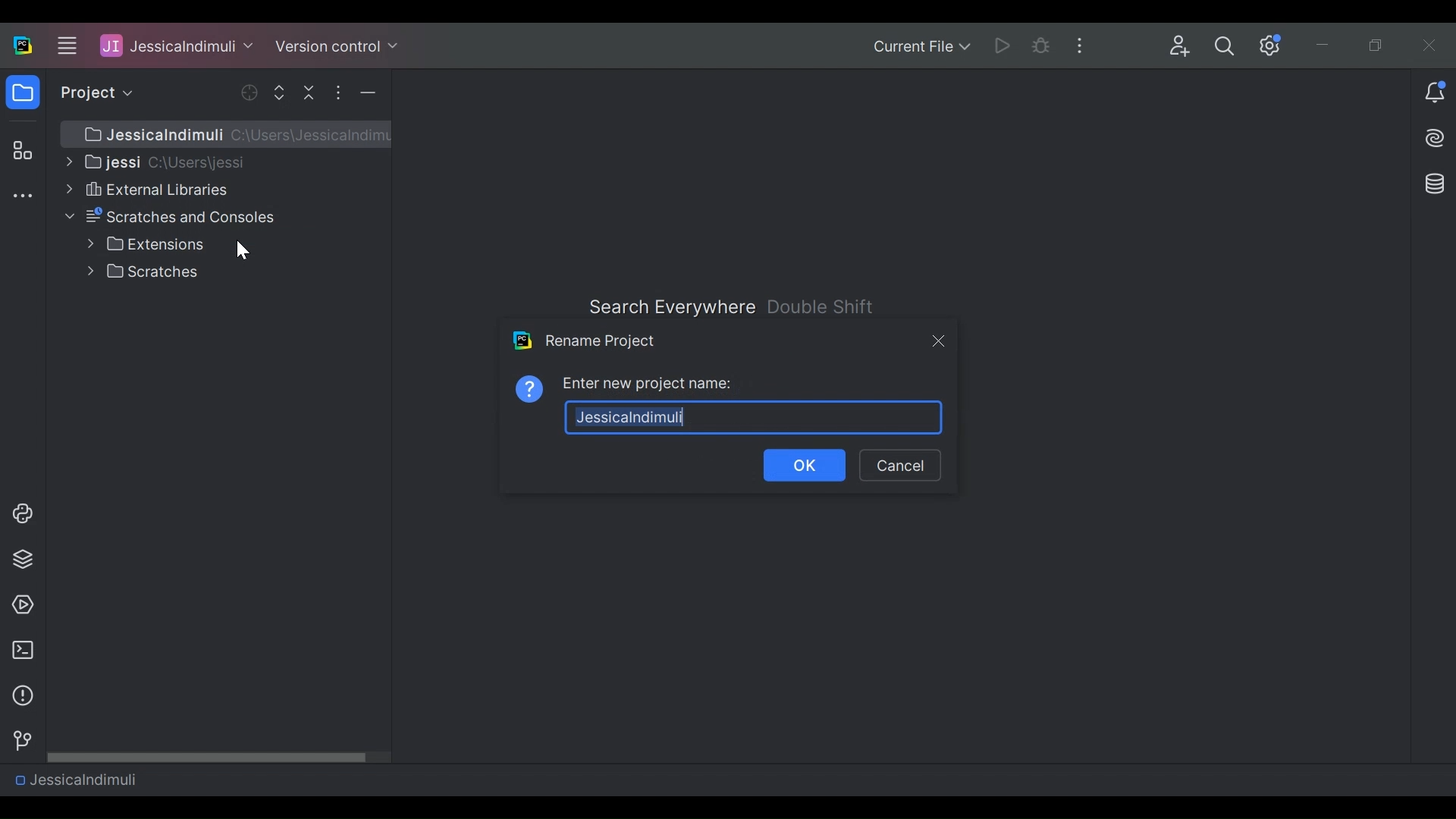 The image size is (1456, 819). I want to click on PyCharm Desktop Icon, so click(24, 46).